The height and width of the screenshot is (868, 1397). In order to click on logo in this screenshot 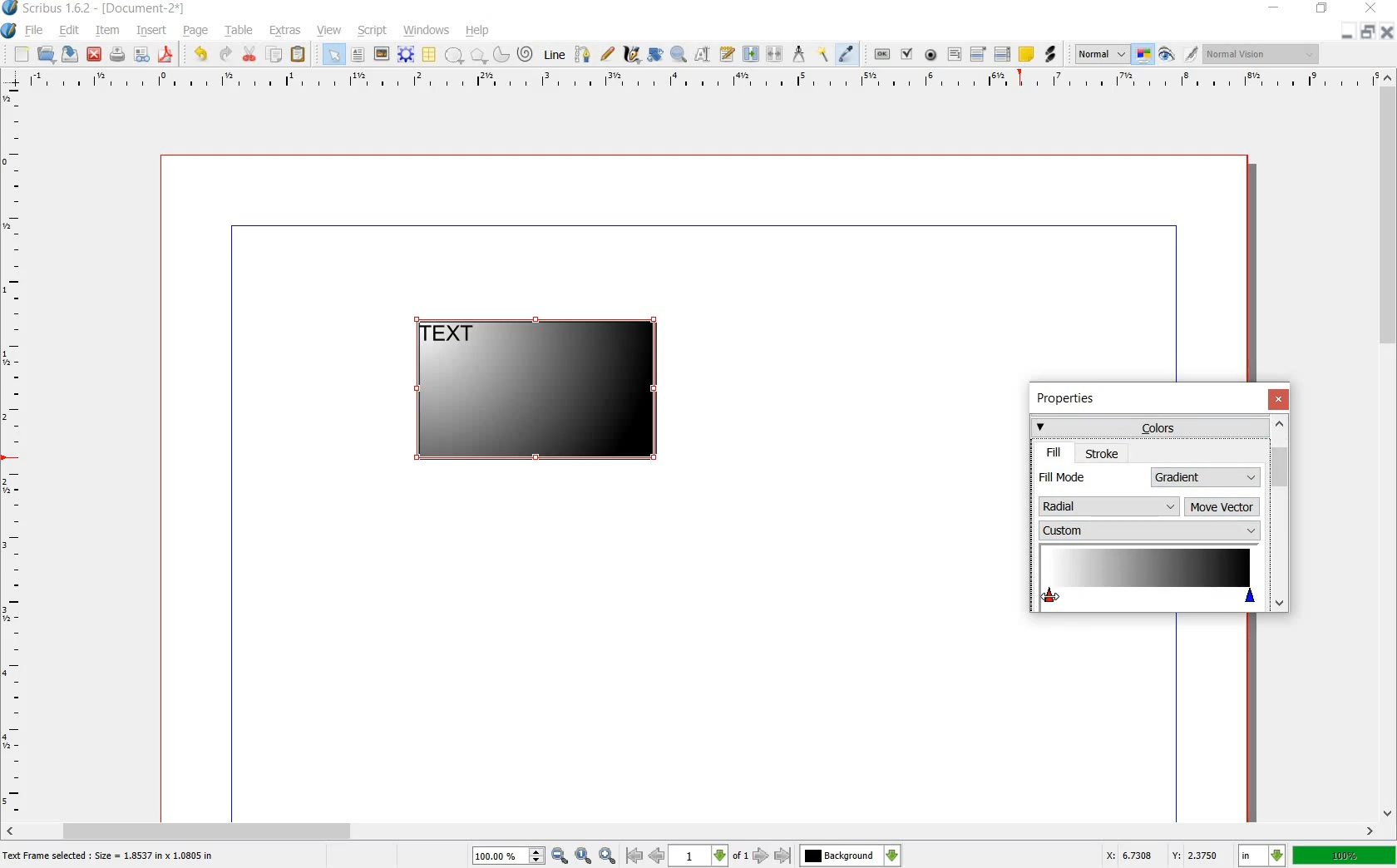, I will do `click(11, 9)`.